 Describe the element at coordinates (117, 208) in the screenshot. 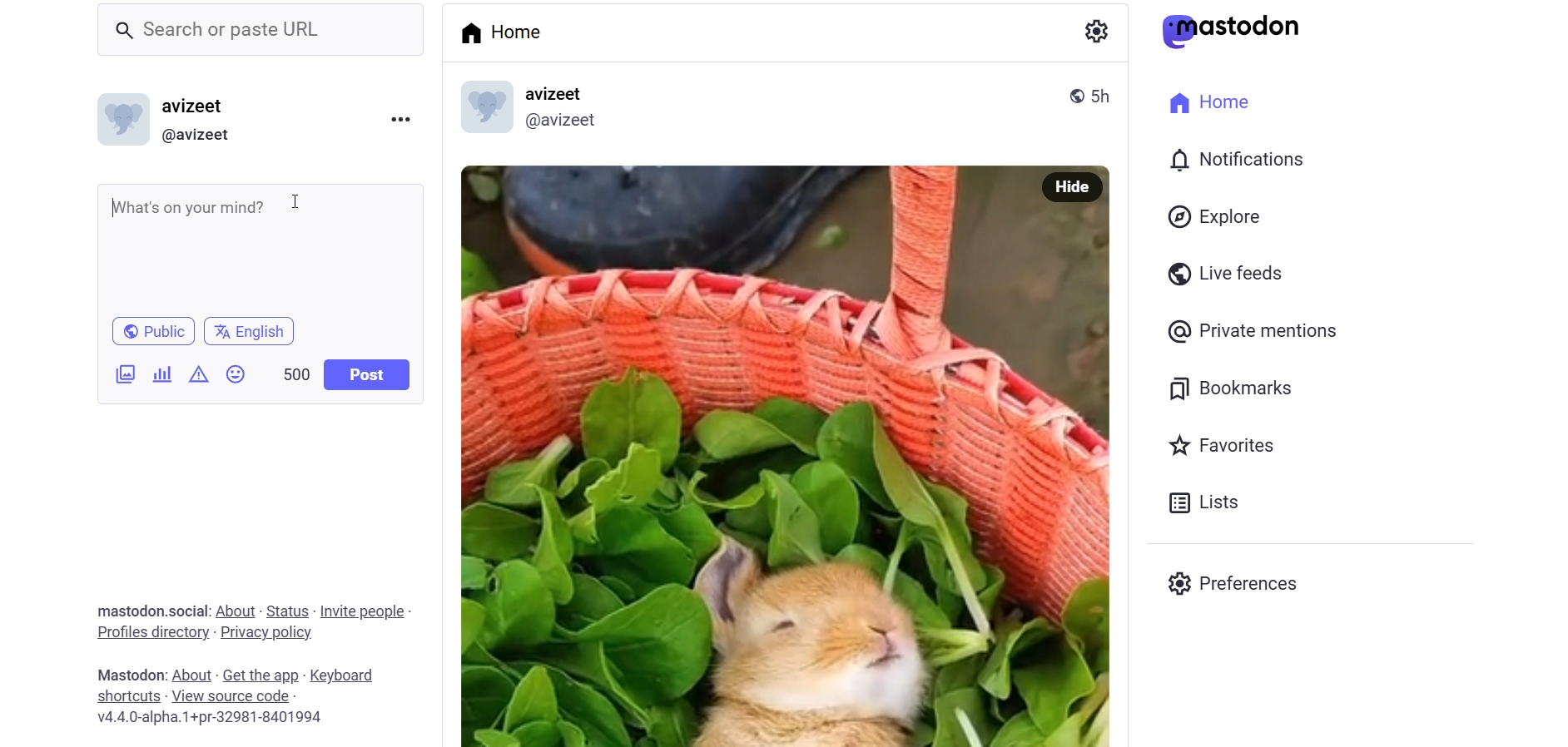

I see `start writing` at that location.